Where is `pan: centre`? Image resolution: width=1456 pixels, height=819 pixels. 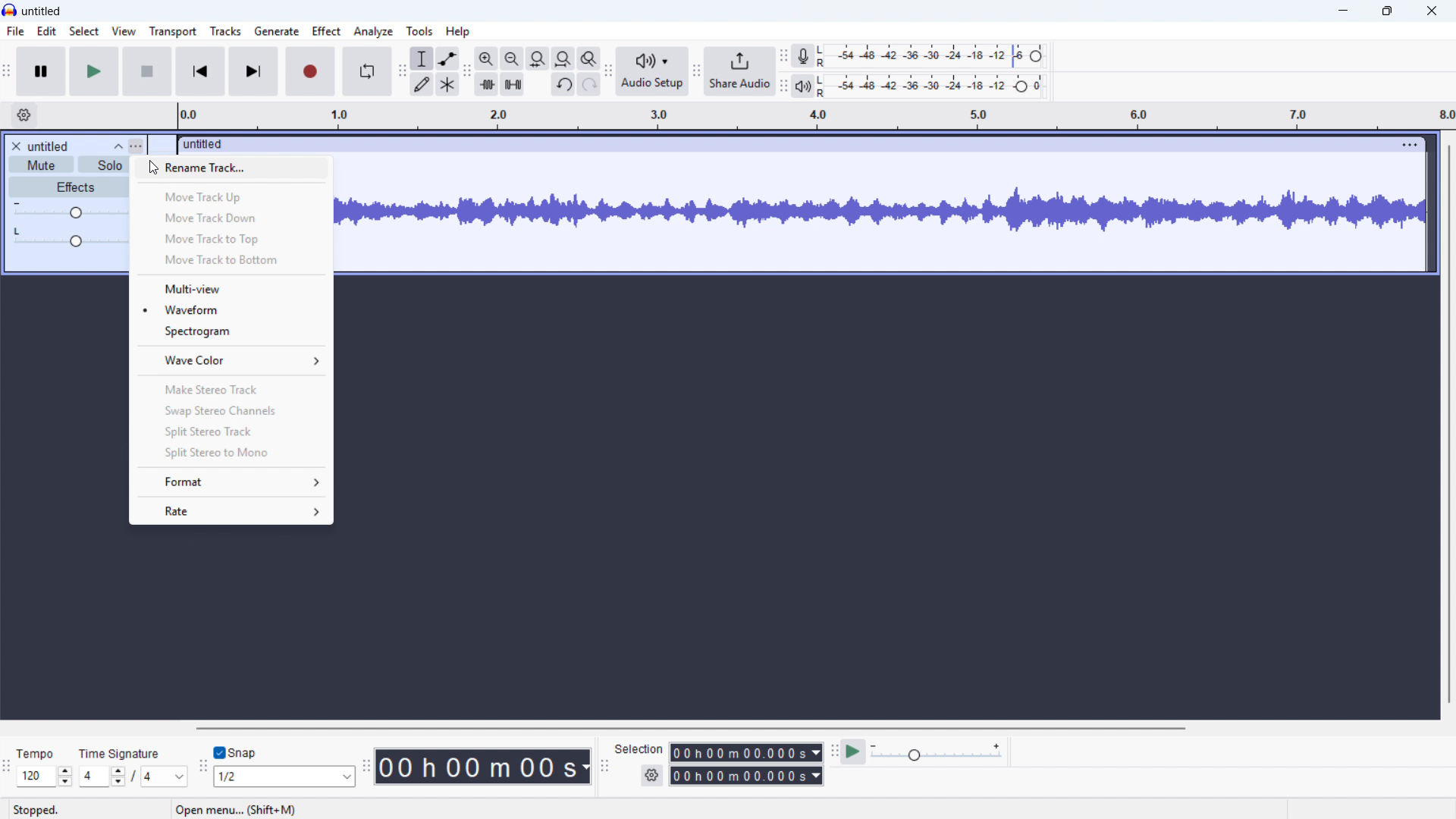 pan: centre is located at coordinates (69, 237).